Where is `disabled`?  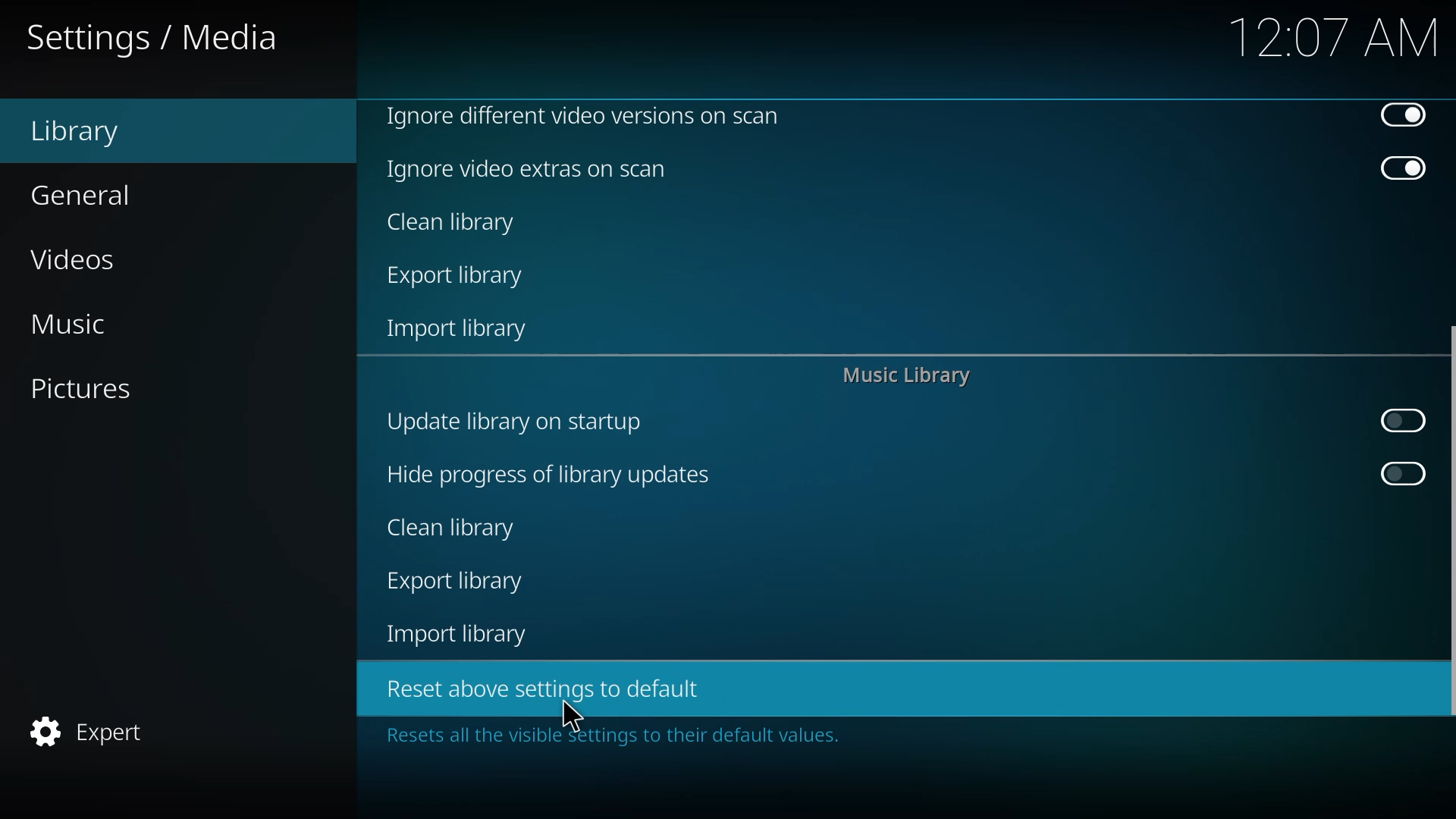 disabled is located at coordinates (1402, 115).